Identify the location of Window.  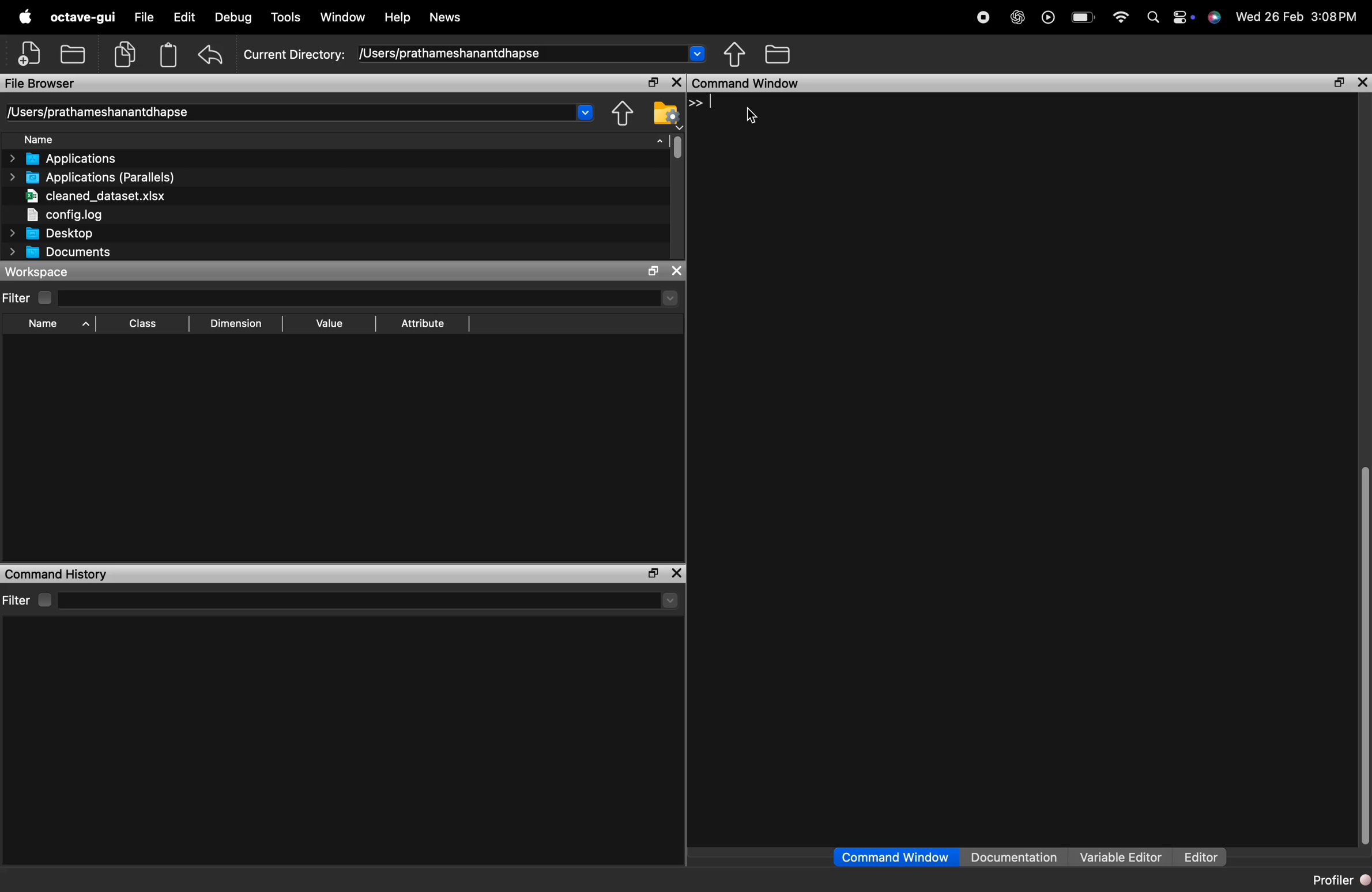
(345, 18).